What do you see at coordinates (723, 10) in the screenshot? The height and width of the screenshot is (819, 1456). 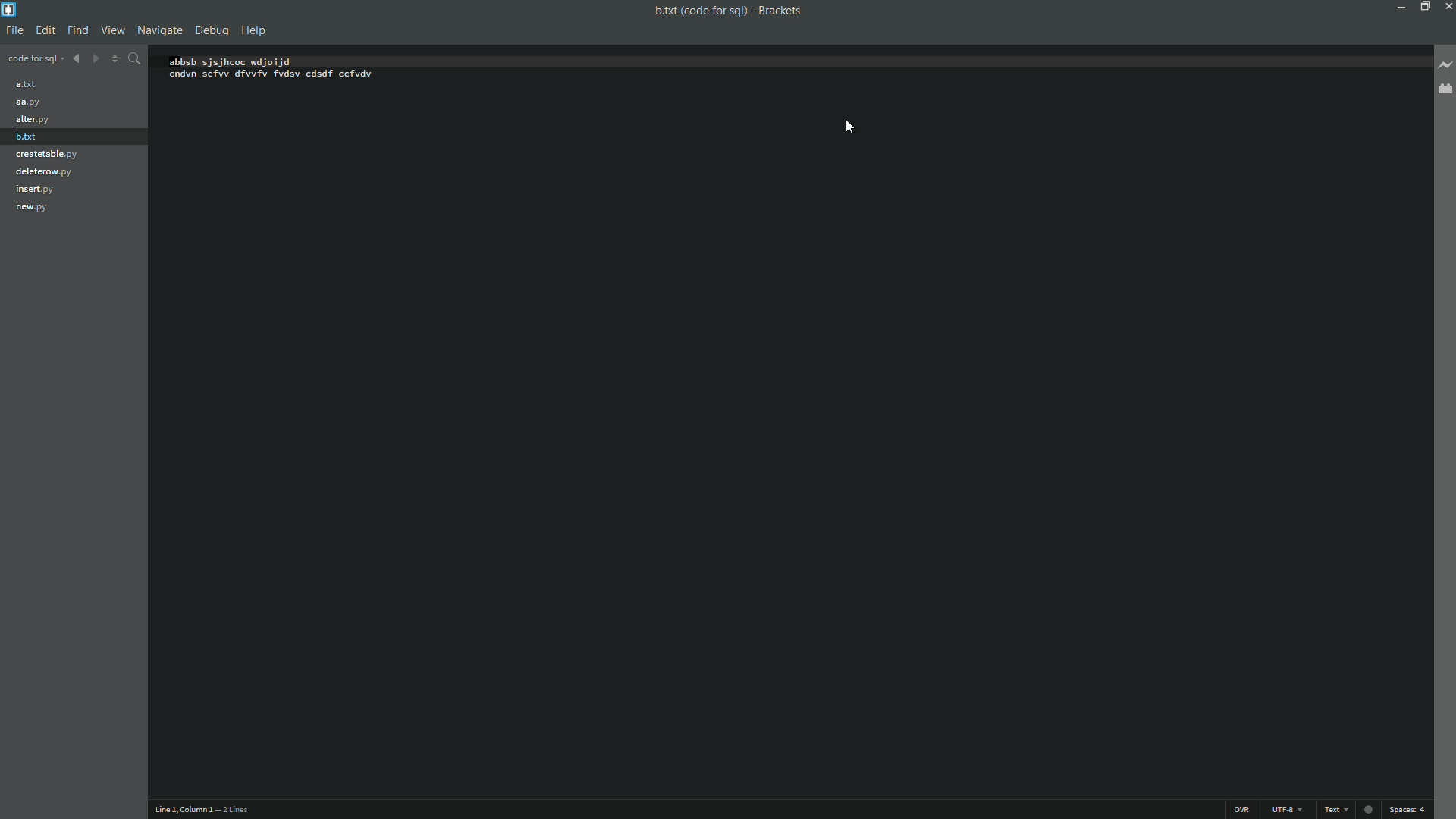 I see `b.txt (code for sql) - brackets` at bounding box center [723, 10].